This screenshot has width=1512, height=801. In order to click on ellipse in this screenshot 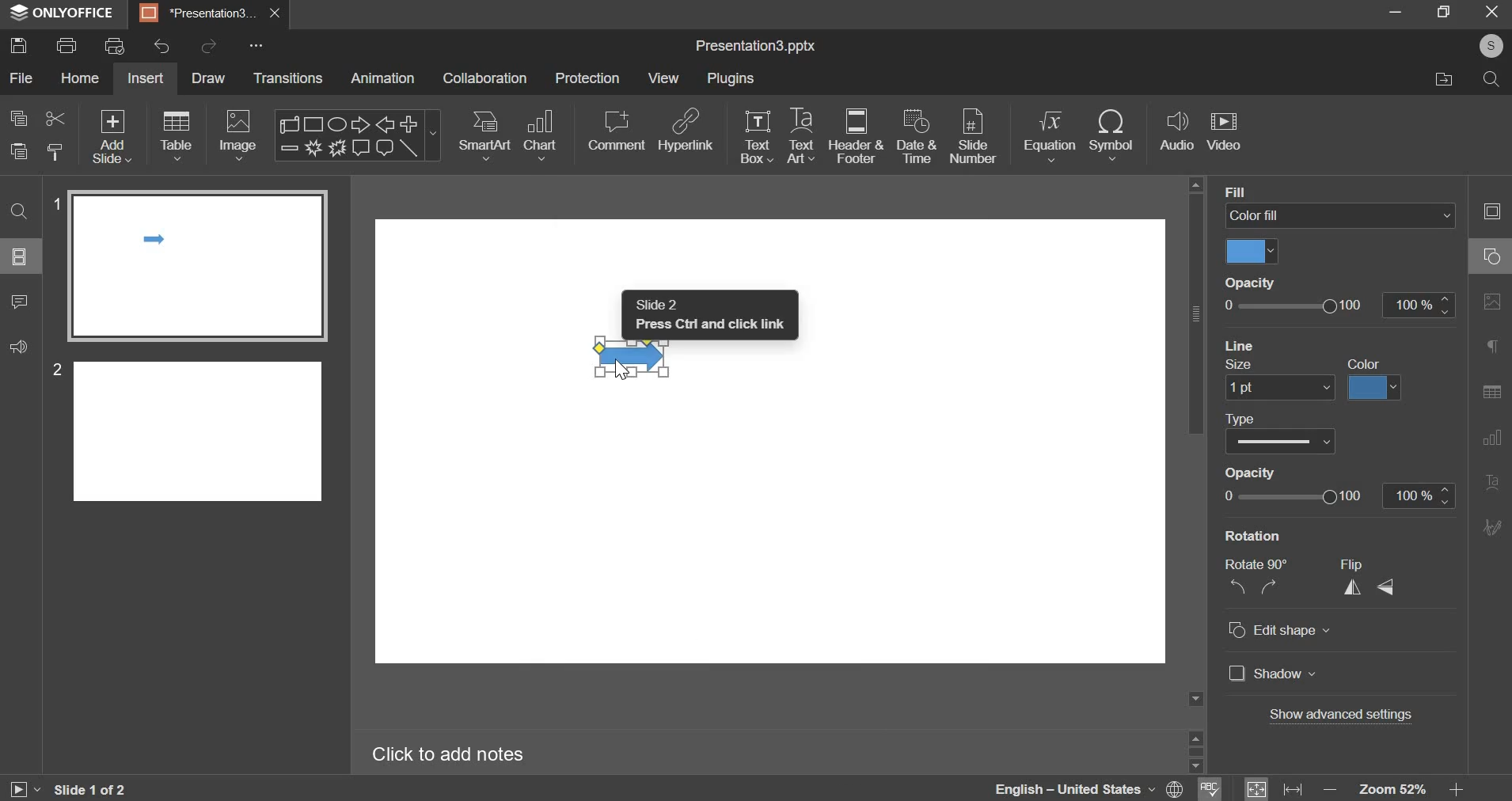, I will do `click(336, 123)`.